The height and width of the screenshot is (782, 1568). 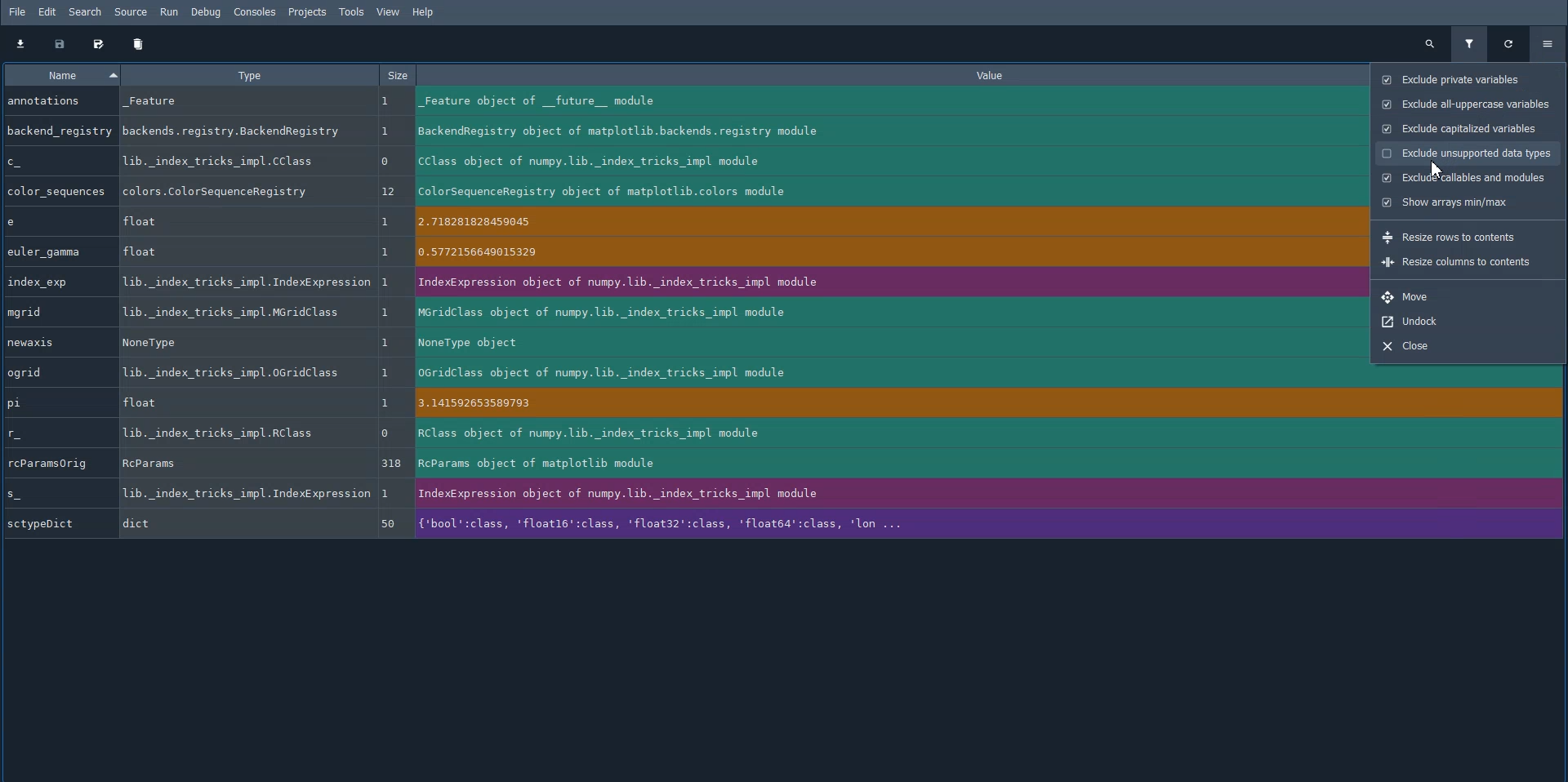 I want to click on Exclude callable and modules, so click(x=1465, y=177).